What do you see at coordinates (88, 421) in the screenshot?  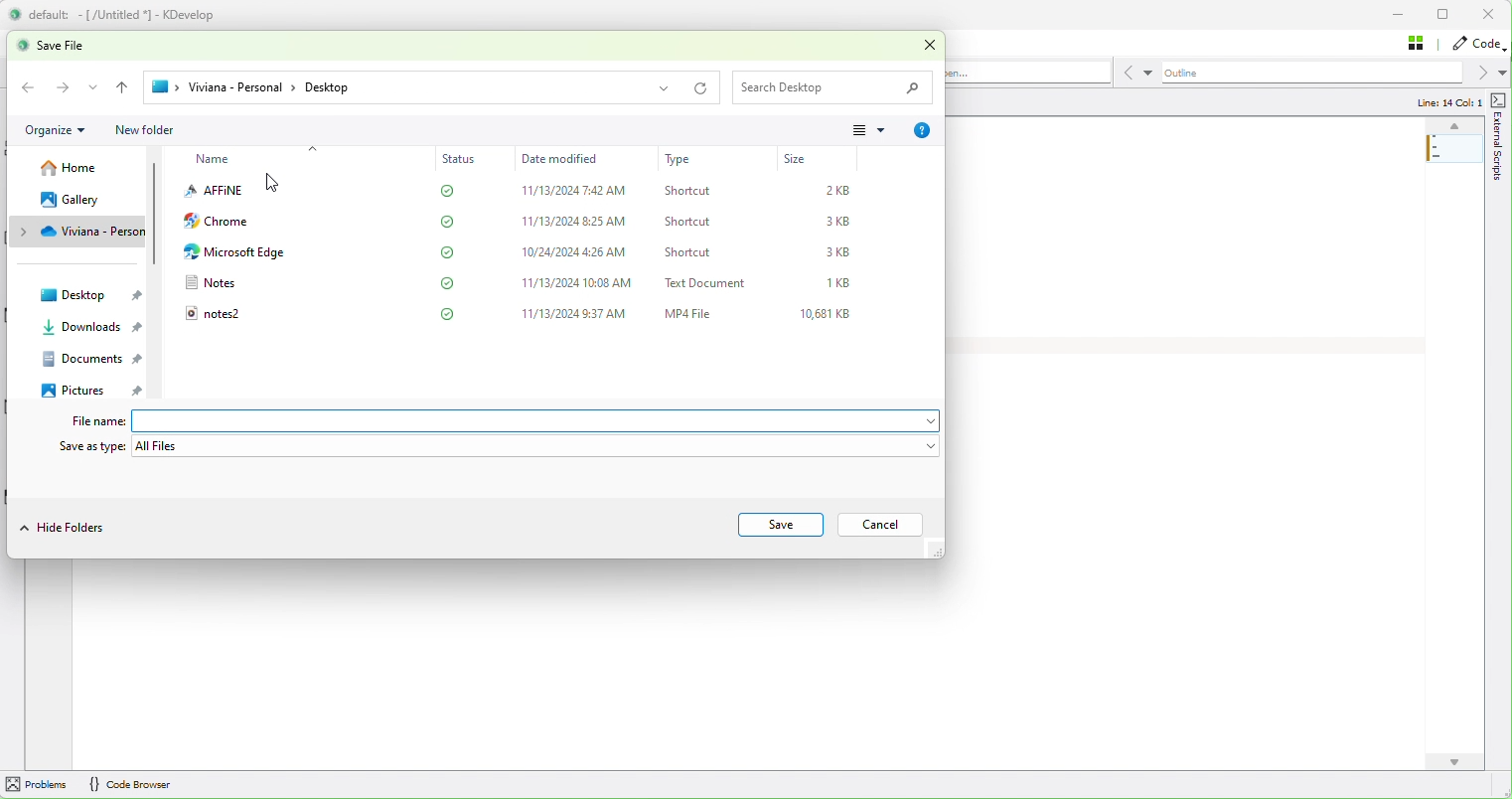 I see `File name:` at bounding box center [88, 421].